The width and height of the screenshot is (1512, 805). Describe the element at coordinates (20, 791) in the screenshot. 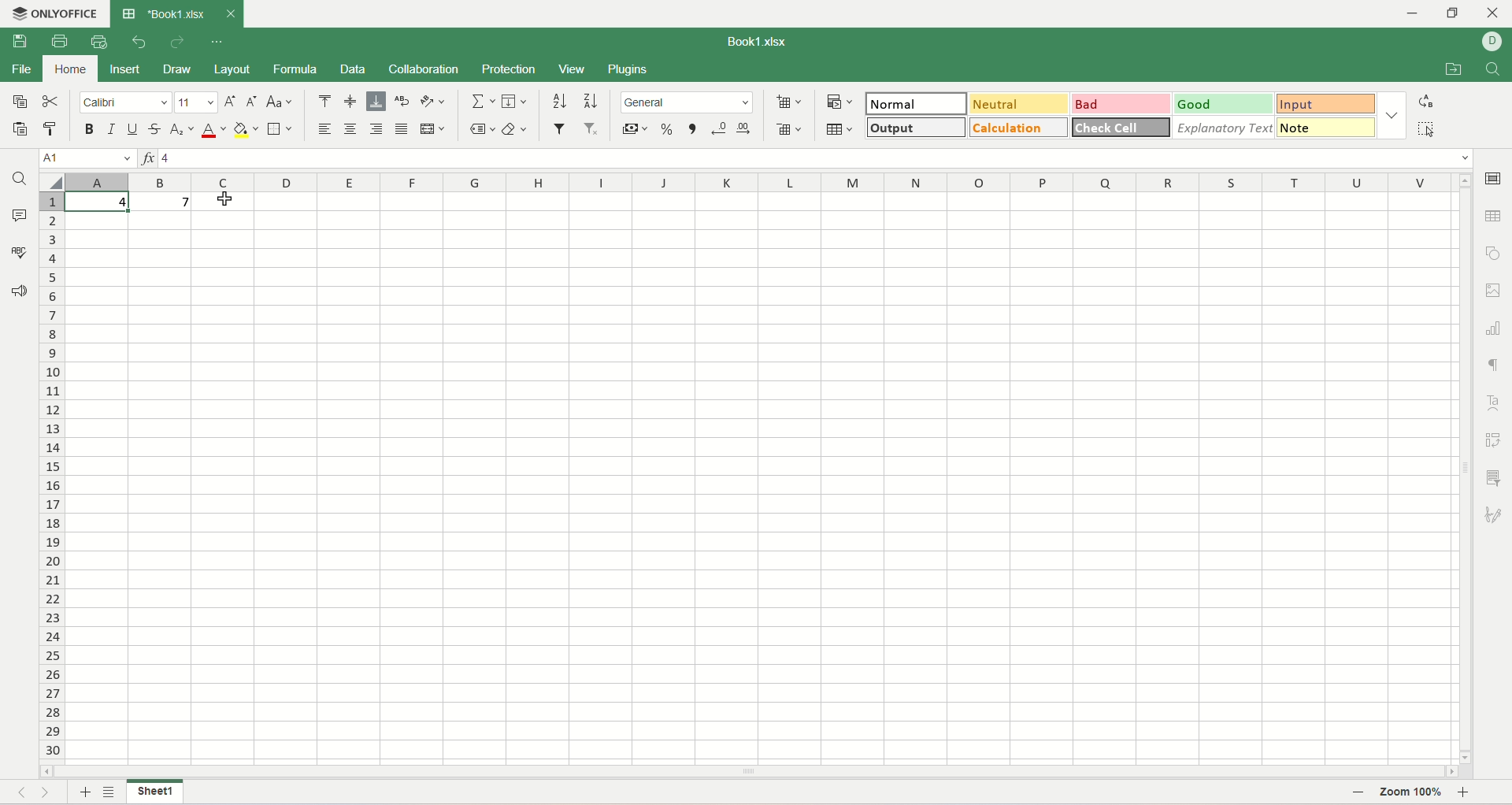

I see `previous` at that location.